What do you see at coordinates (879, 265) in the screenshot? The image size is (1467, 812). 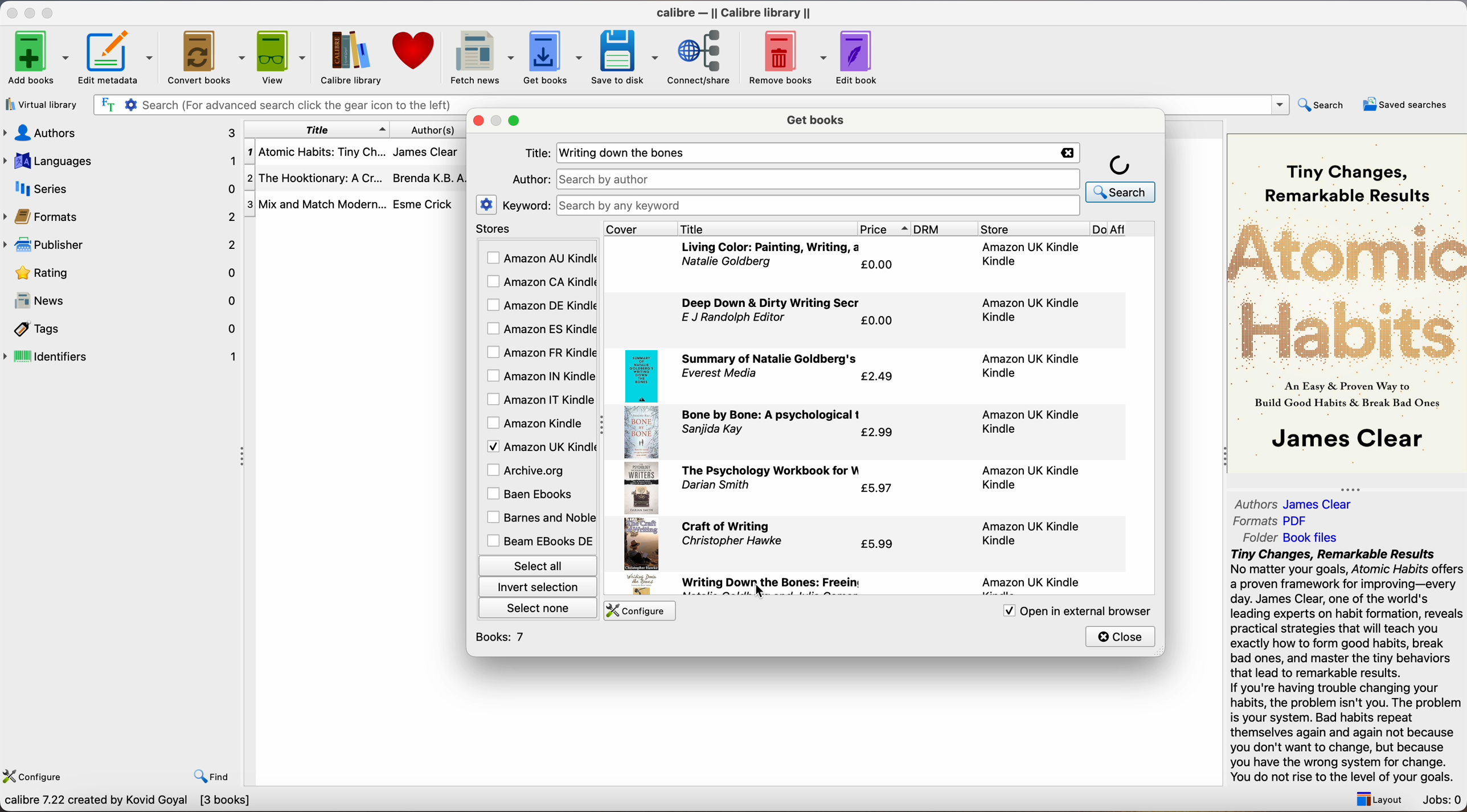 I see `€0.00` at bounding box center [879, 265].